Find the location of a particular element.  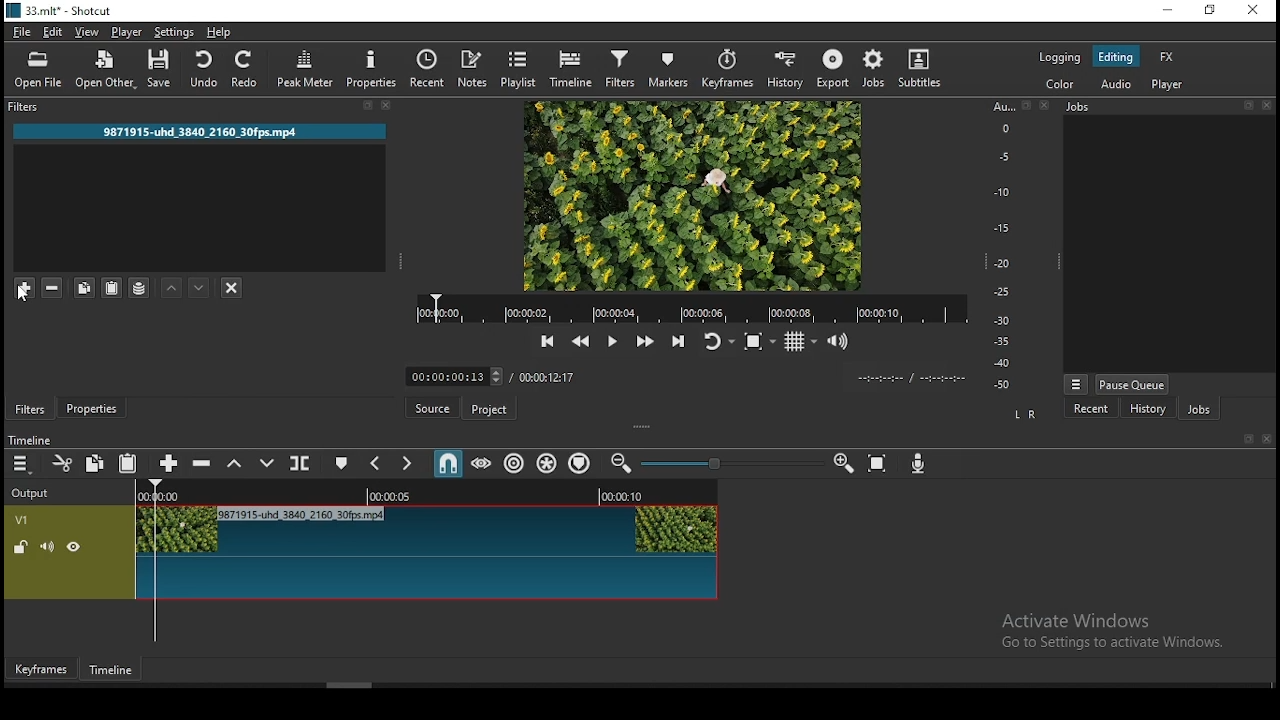

resize is located at coordinates (367, 105).